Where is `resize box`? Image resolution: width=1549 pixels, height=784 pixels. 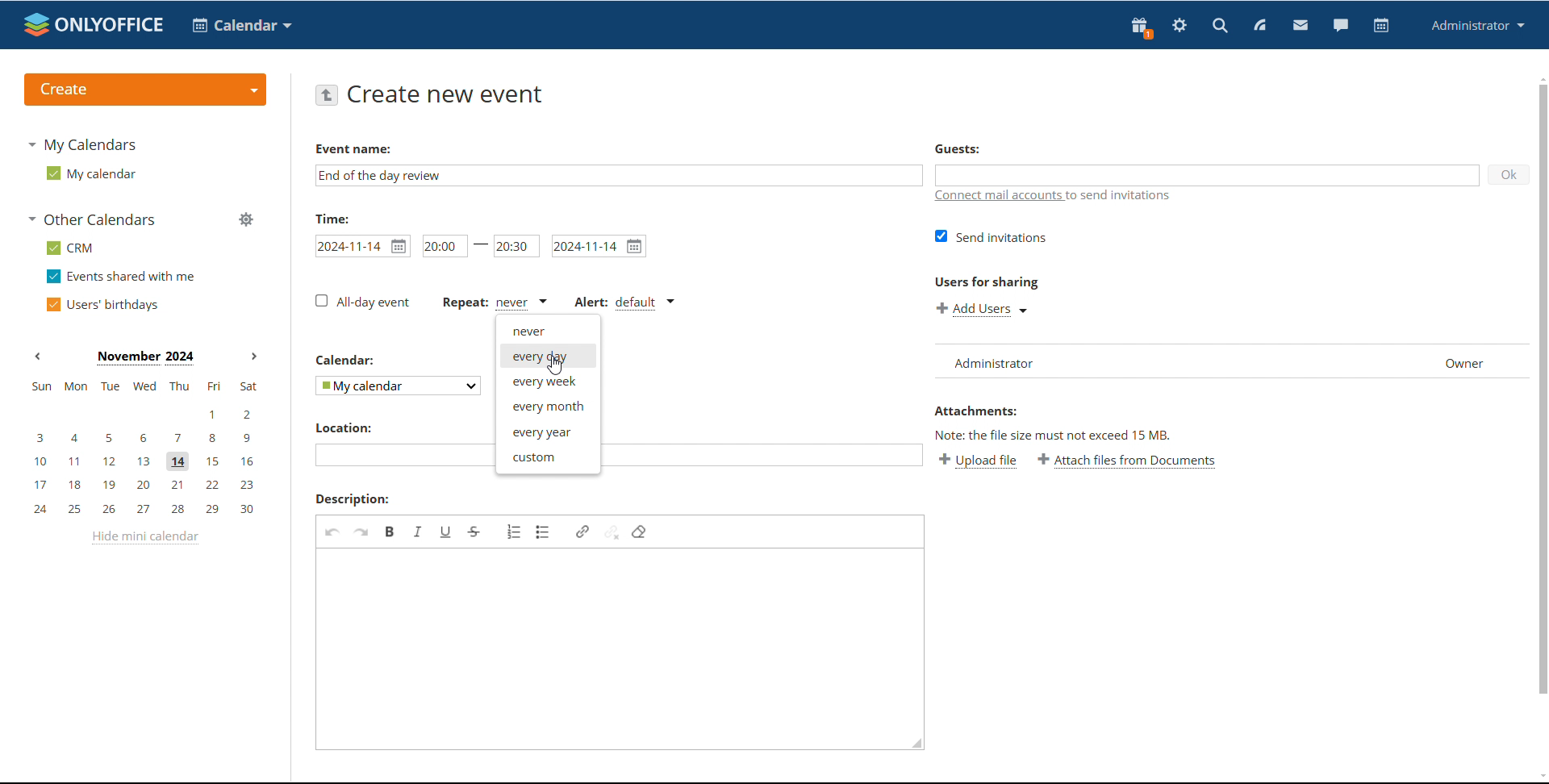 resize box is located at coordinates (913, 746).